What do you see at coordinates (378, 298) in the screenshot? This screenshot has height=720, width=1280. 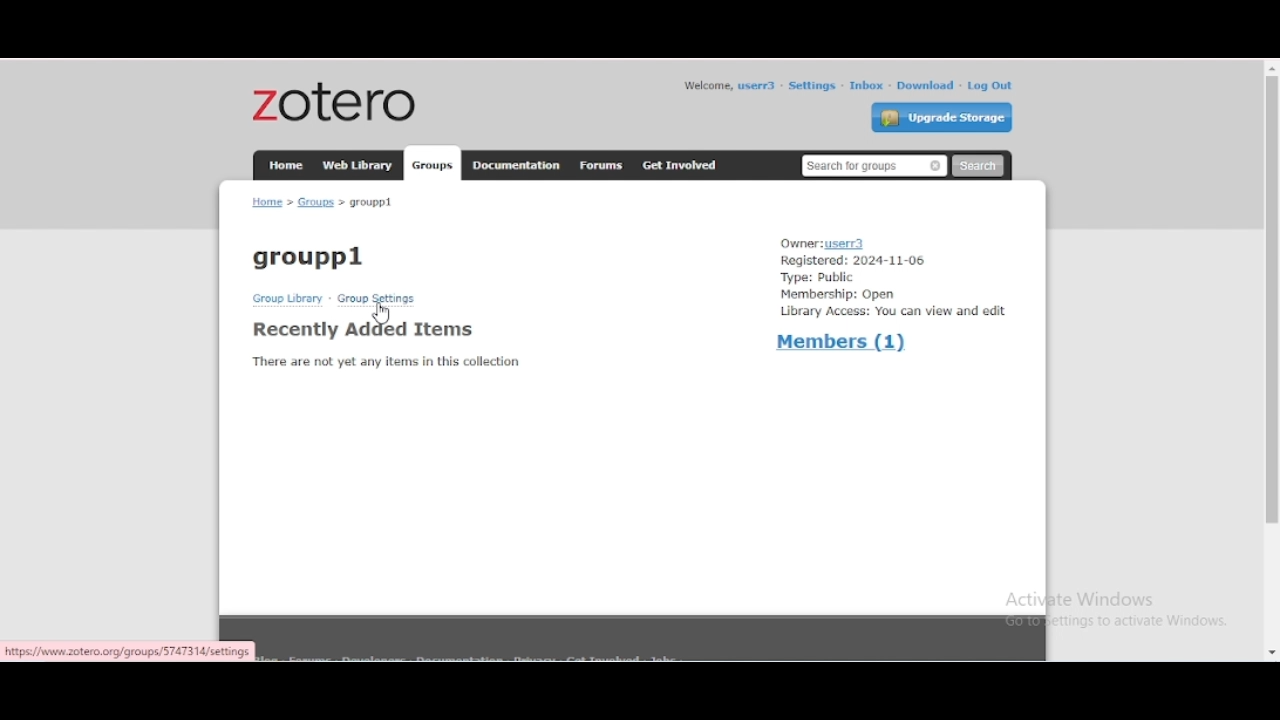 I see `group settings` at bounding box center [378, 298].